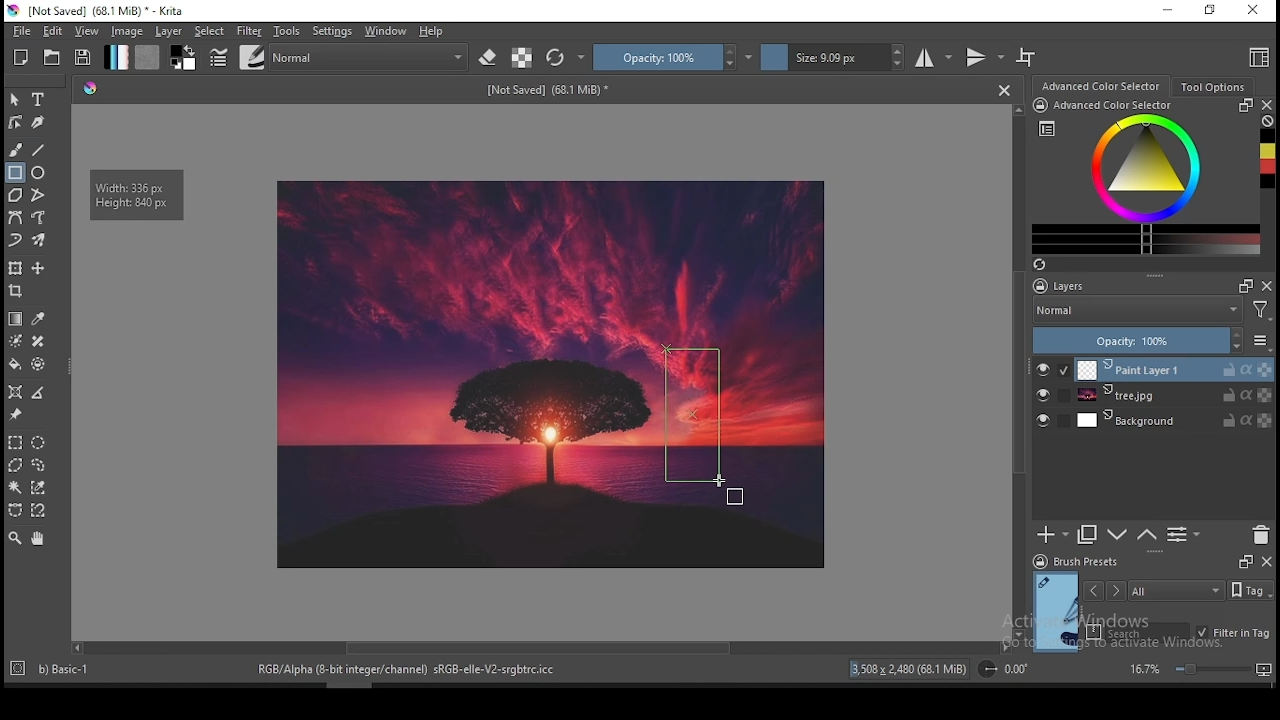  What do you see at coordinates (15, 488) in the screenshot?
I see `contiguous selection tool` at bounding box center [15, 488].